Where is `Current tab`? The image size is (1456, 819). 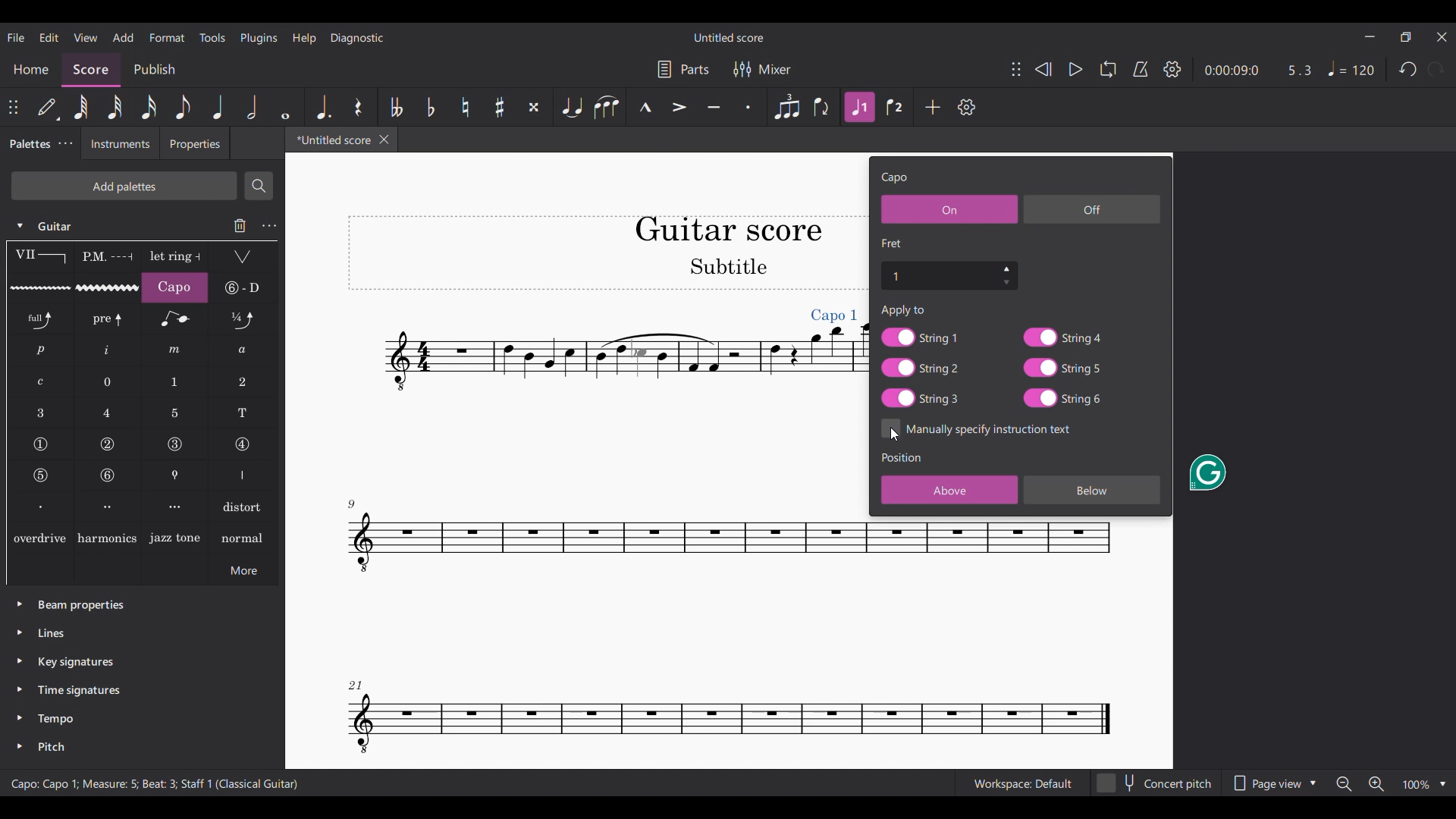 Current tab is located at coordinates (330, 140).